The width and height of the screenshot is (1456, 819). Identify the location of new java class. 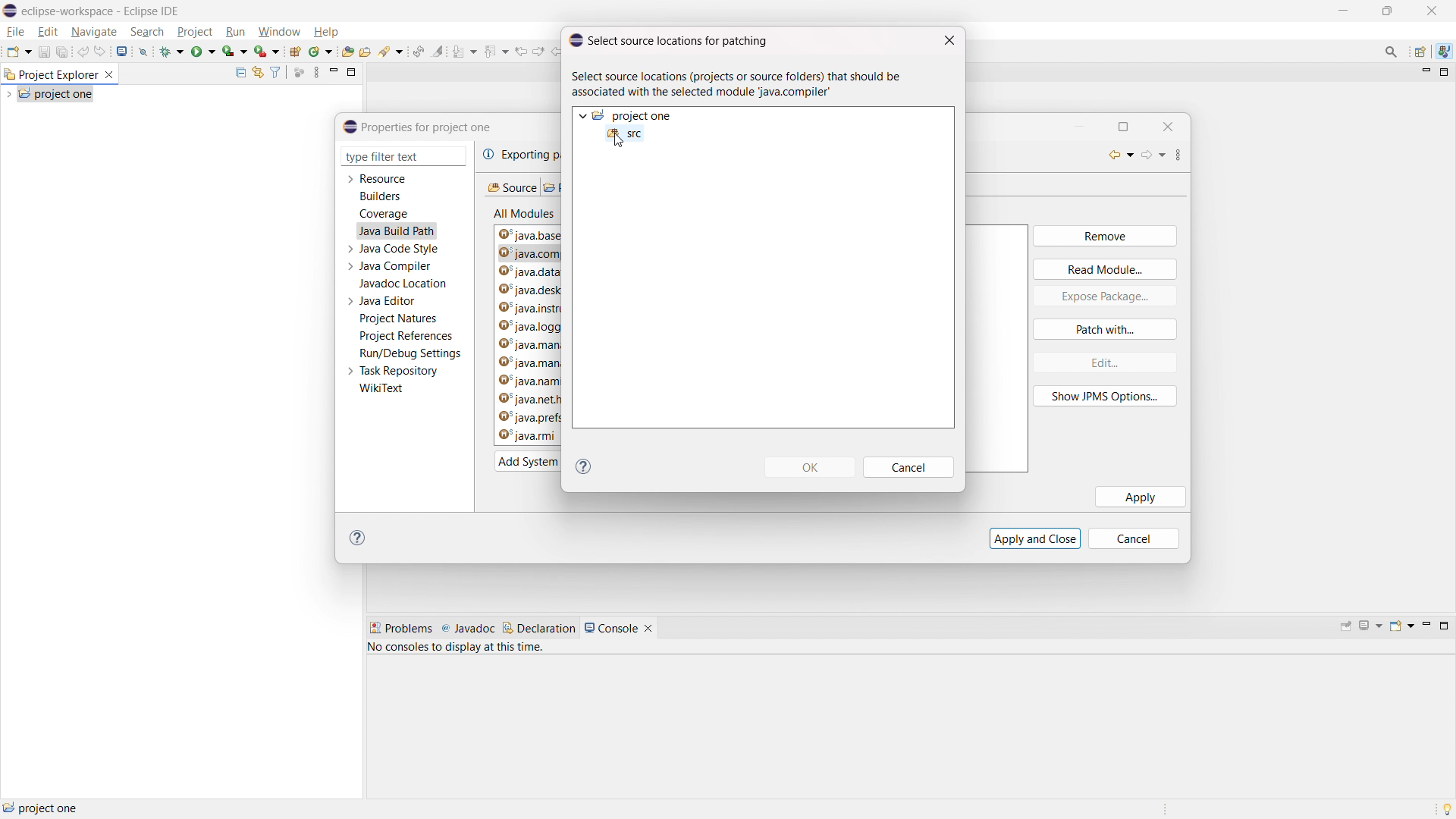
(321, 52).